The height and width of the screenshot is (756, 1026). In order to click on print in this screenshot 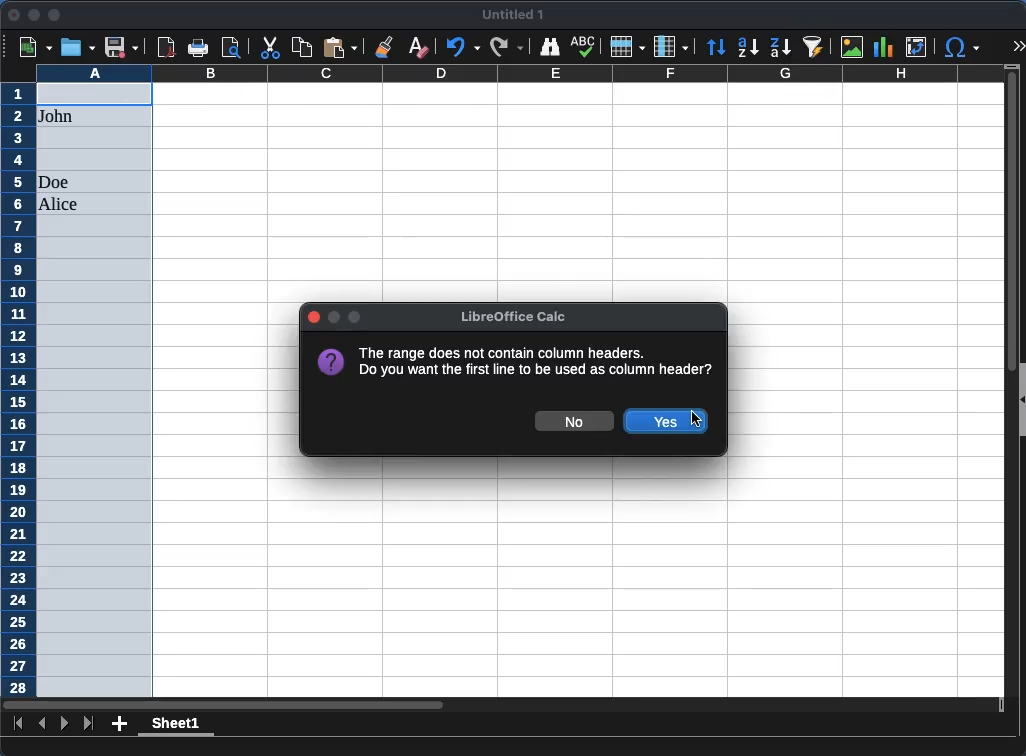, I will do `click(198, 48)`.